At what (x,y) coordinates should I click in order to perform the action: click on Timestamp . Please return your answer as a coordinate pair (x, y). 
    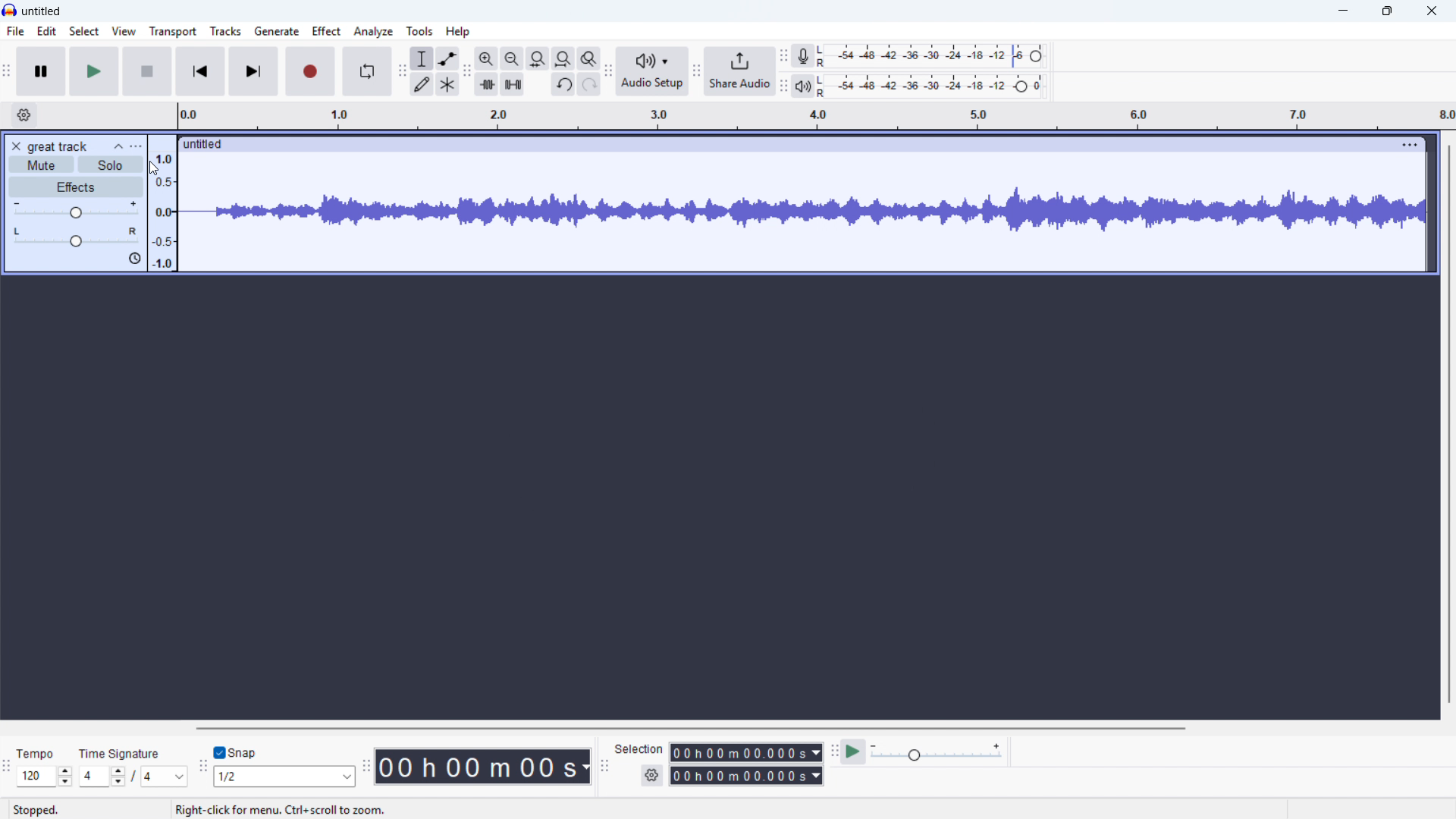
    Looking at the image, I should click on (485, 767).